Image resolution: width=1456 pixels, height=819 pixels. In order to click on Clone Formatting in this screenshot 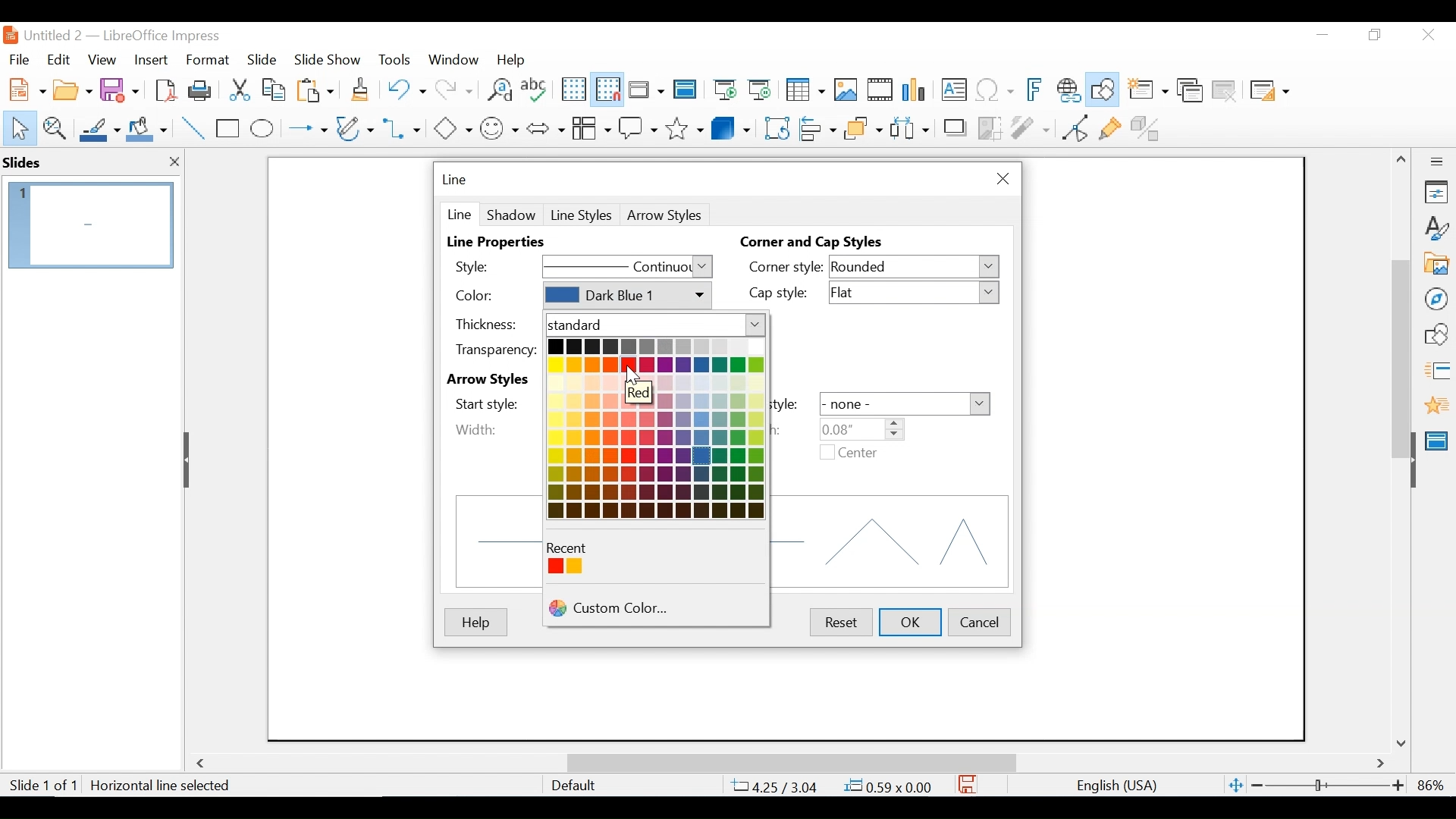, I will do `click(362, 89)`.